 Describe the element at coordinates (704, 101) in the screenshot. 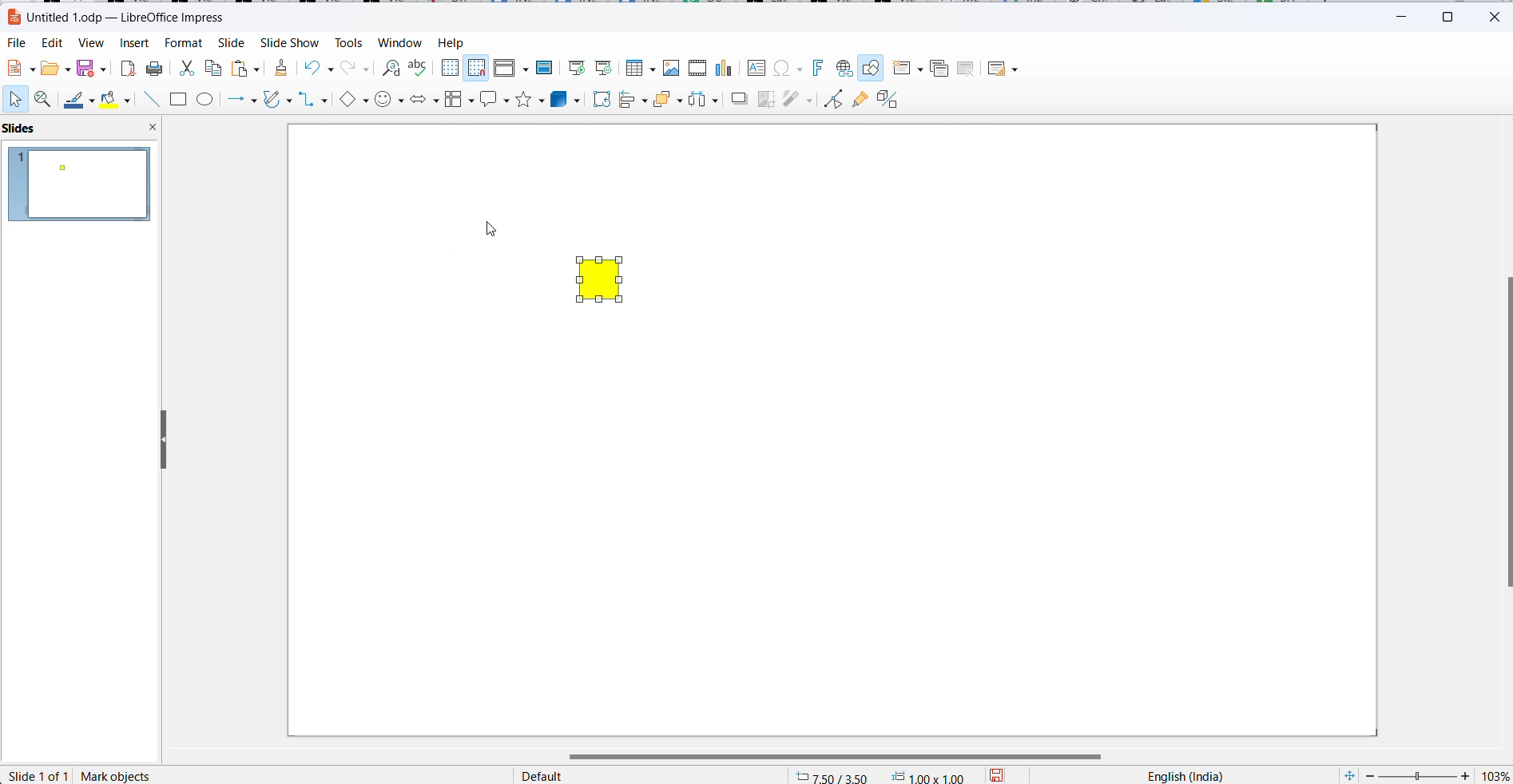

I see `distribute objects` at that location.